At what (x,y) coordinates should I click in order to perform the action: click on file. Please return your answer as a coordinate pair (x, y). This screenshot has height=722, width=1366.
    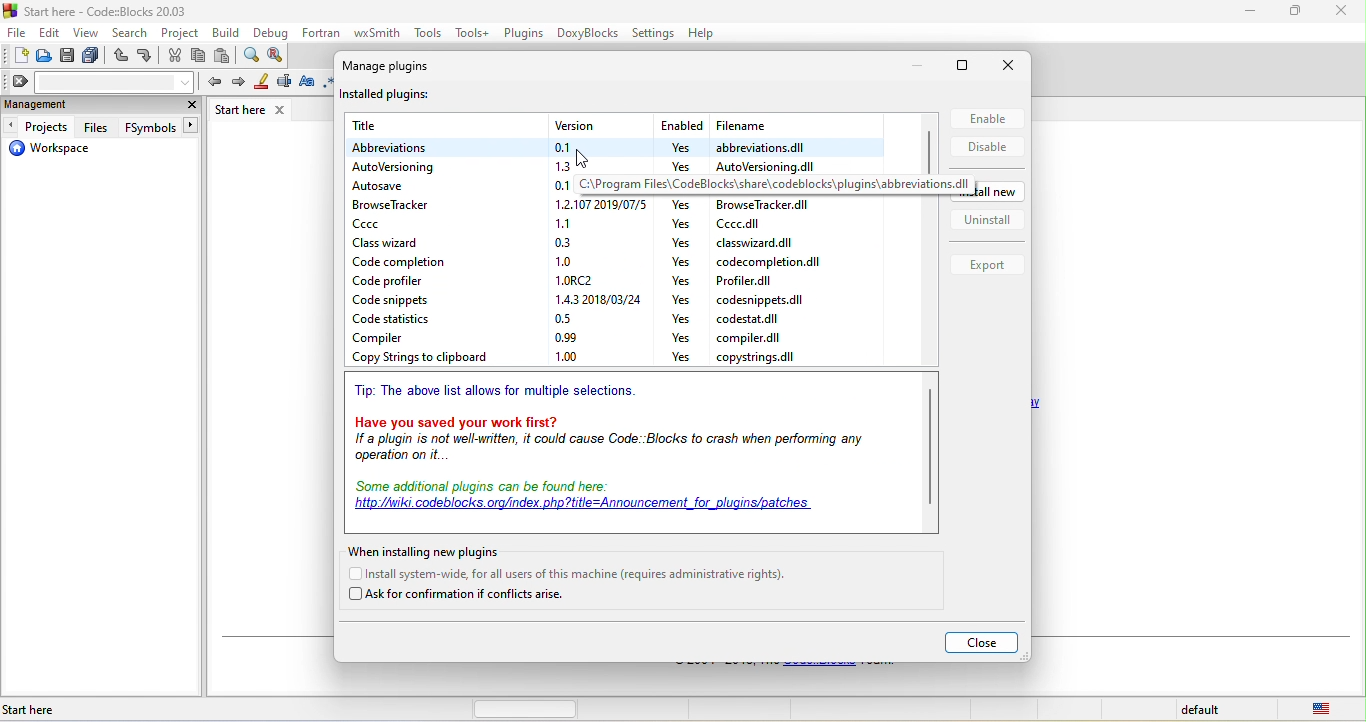
    Looking at the image, I should click on (758, 357).